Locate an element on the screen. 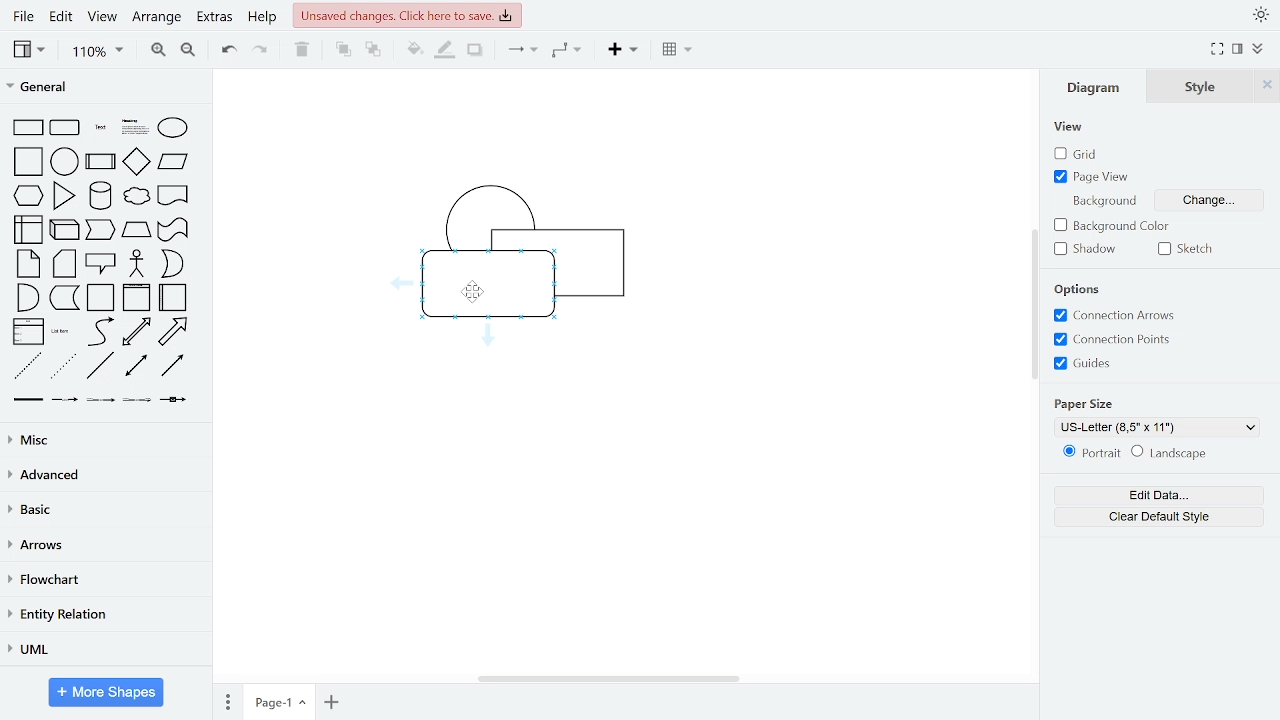 The image size is (1280, 720). format is located at coordinates (1240, 48).